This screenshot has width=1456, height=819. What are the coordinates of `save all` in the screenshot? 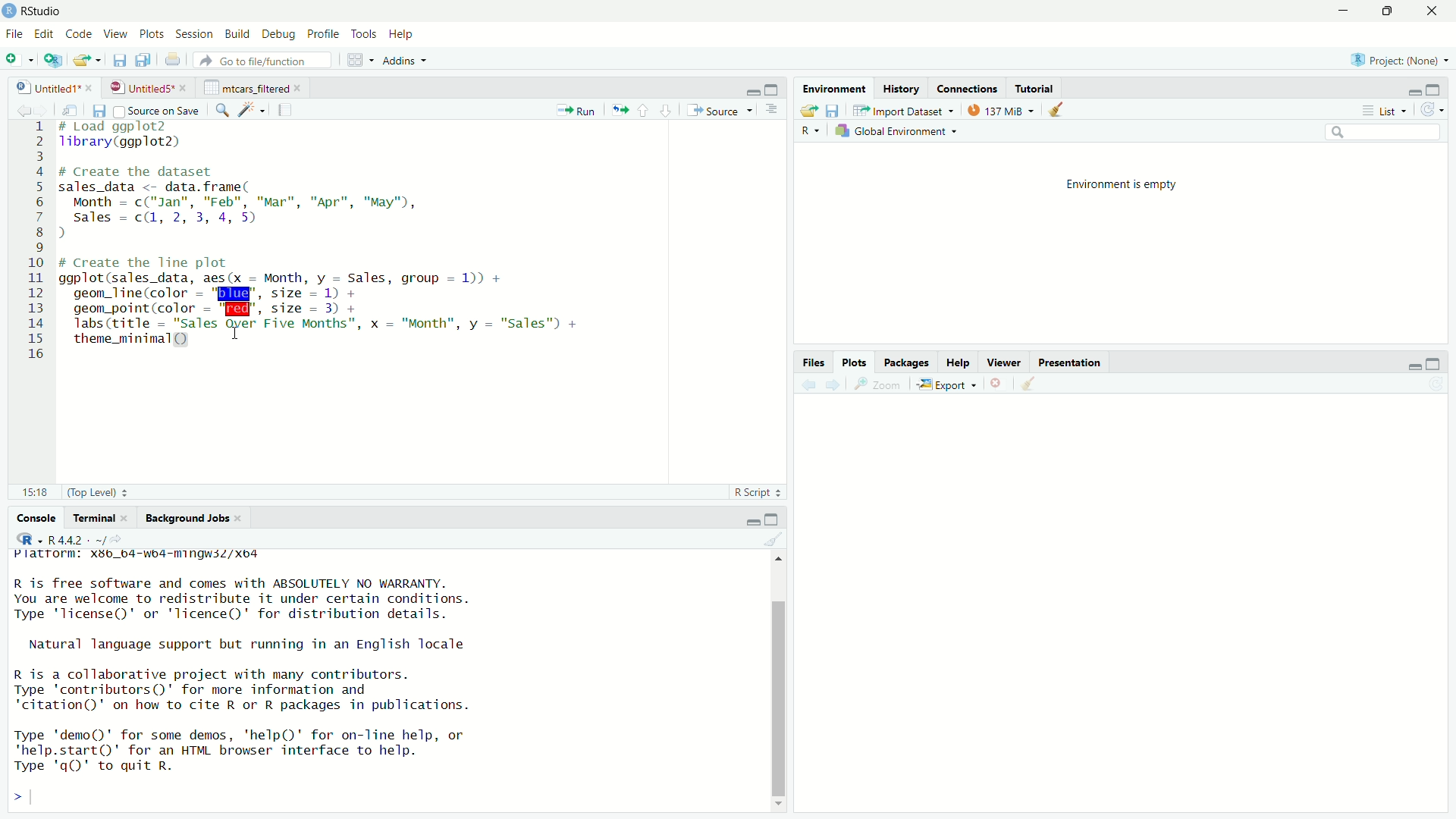 It's located at (143, 60).